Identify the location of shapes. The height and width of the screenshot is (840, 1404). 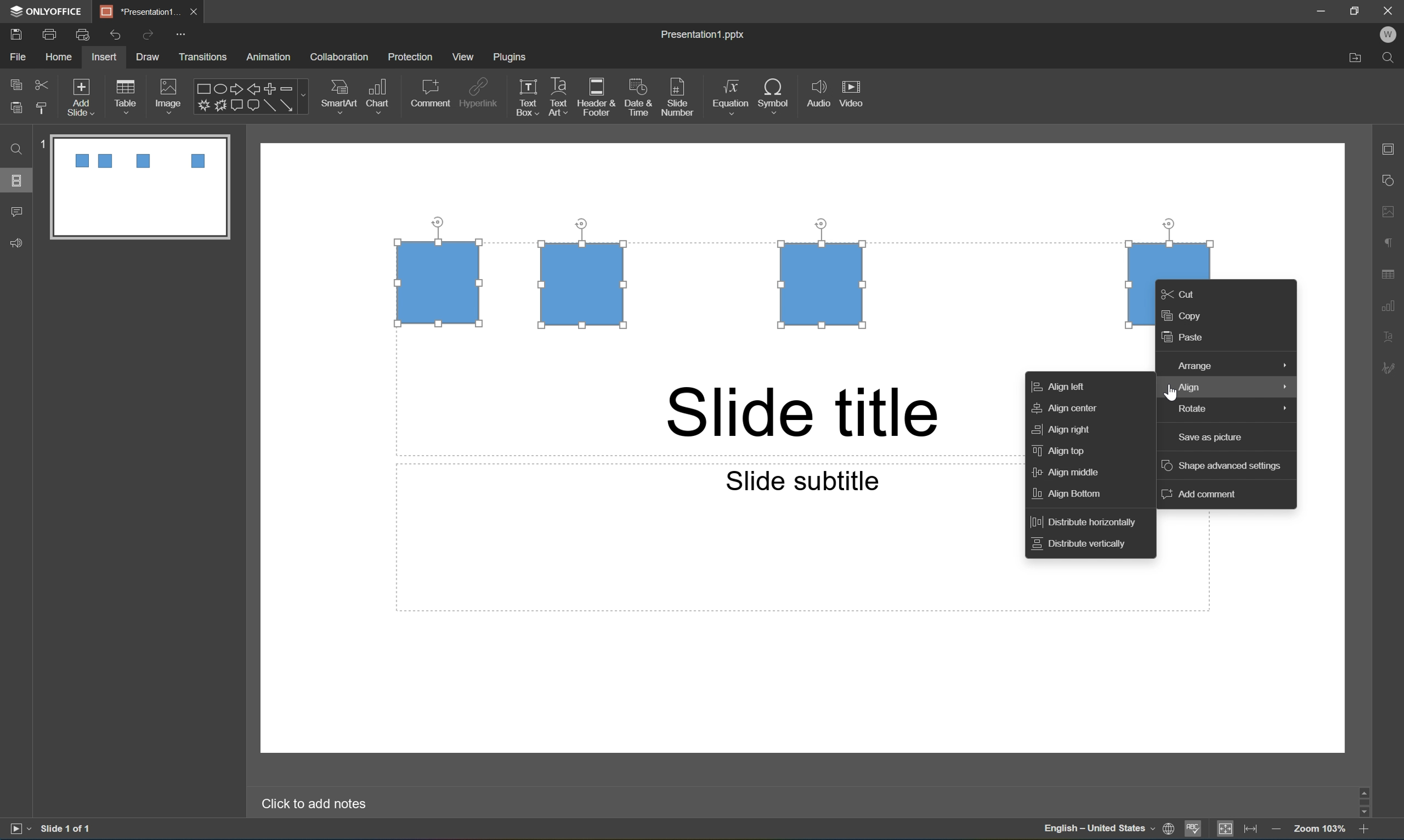
(250, 96).